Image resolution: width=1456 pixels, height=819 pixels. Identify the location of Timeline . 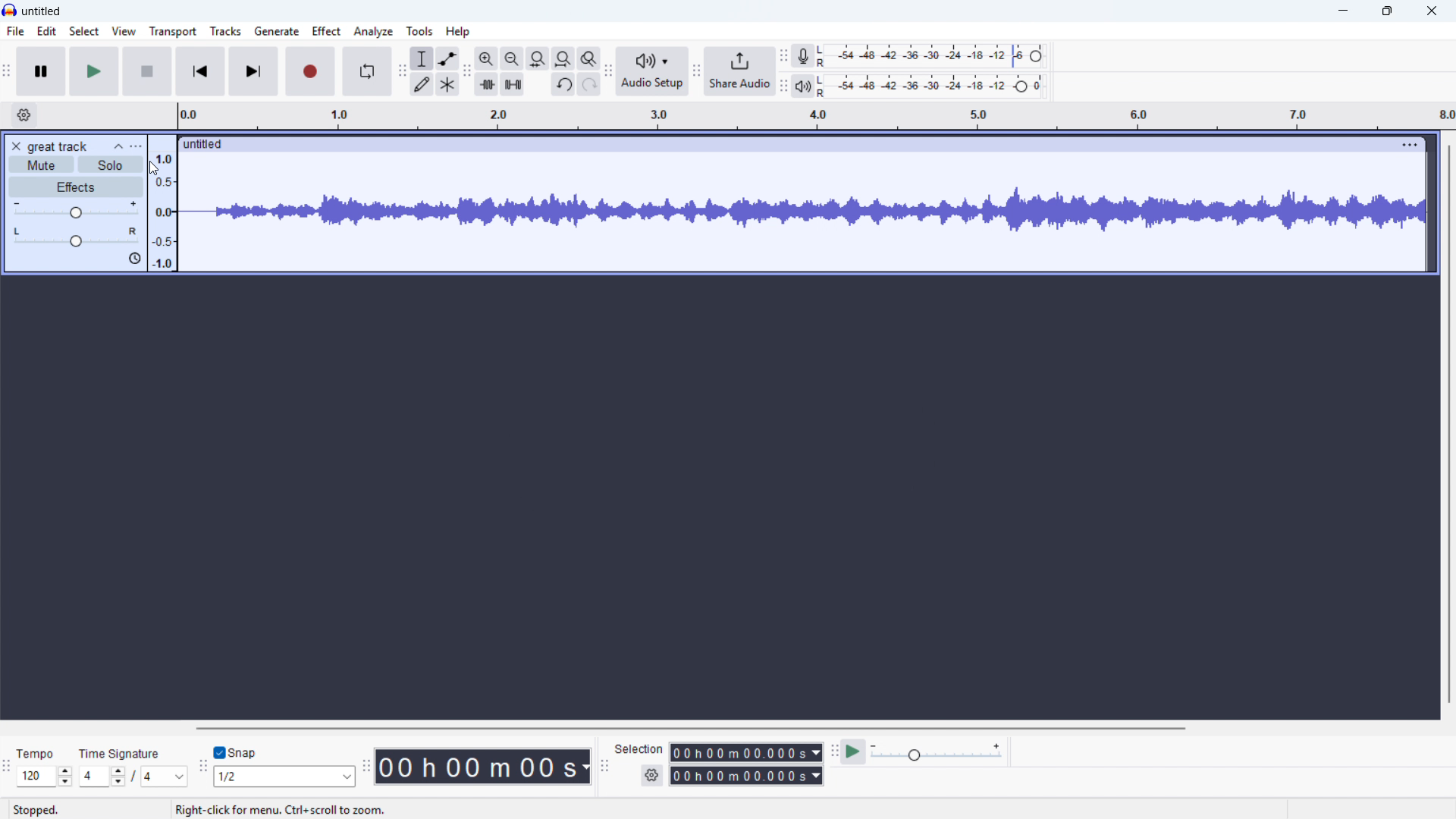
(810, 115).